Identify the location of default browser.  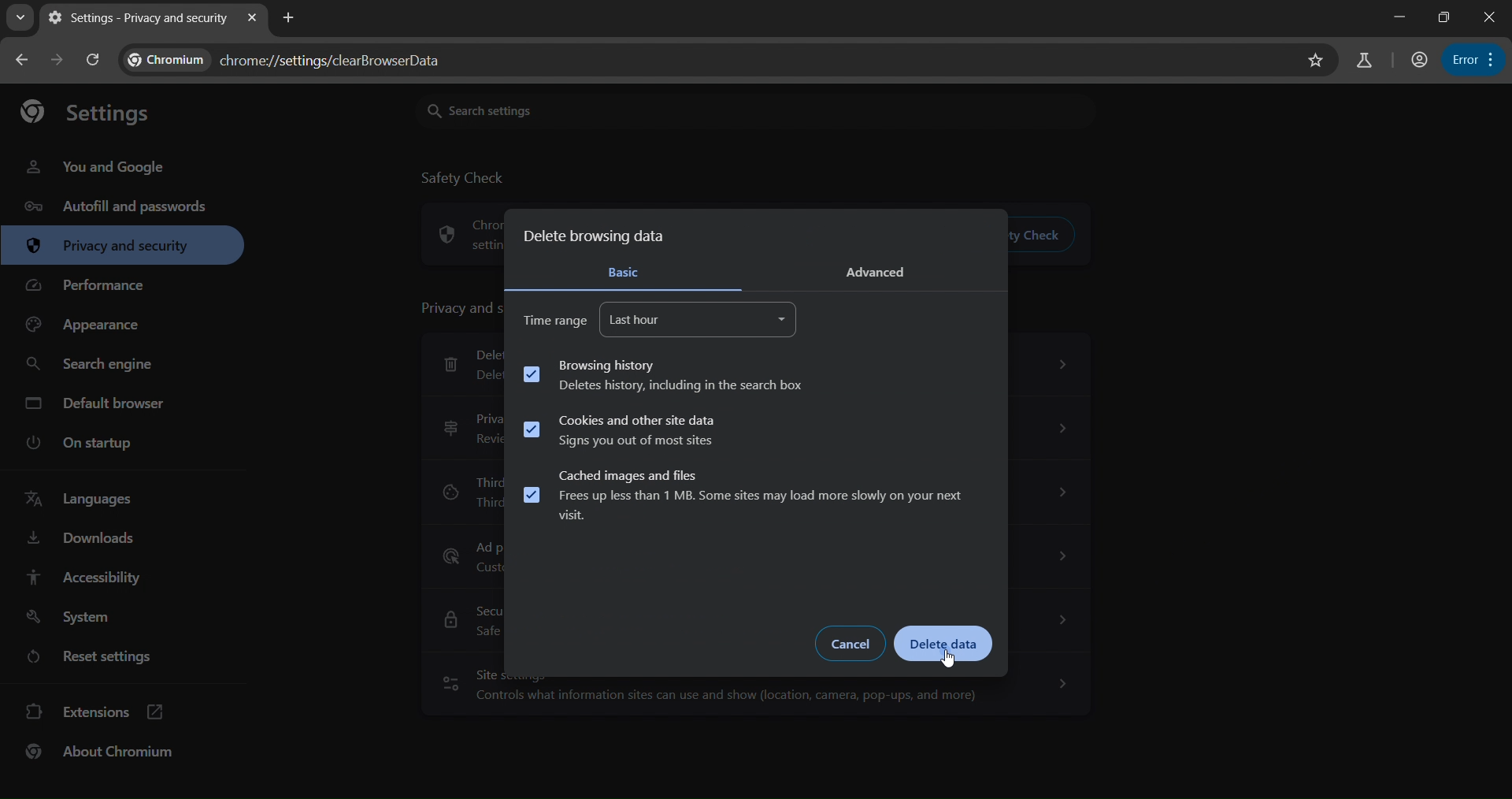
(101, 407).